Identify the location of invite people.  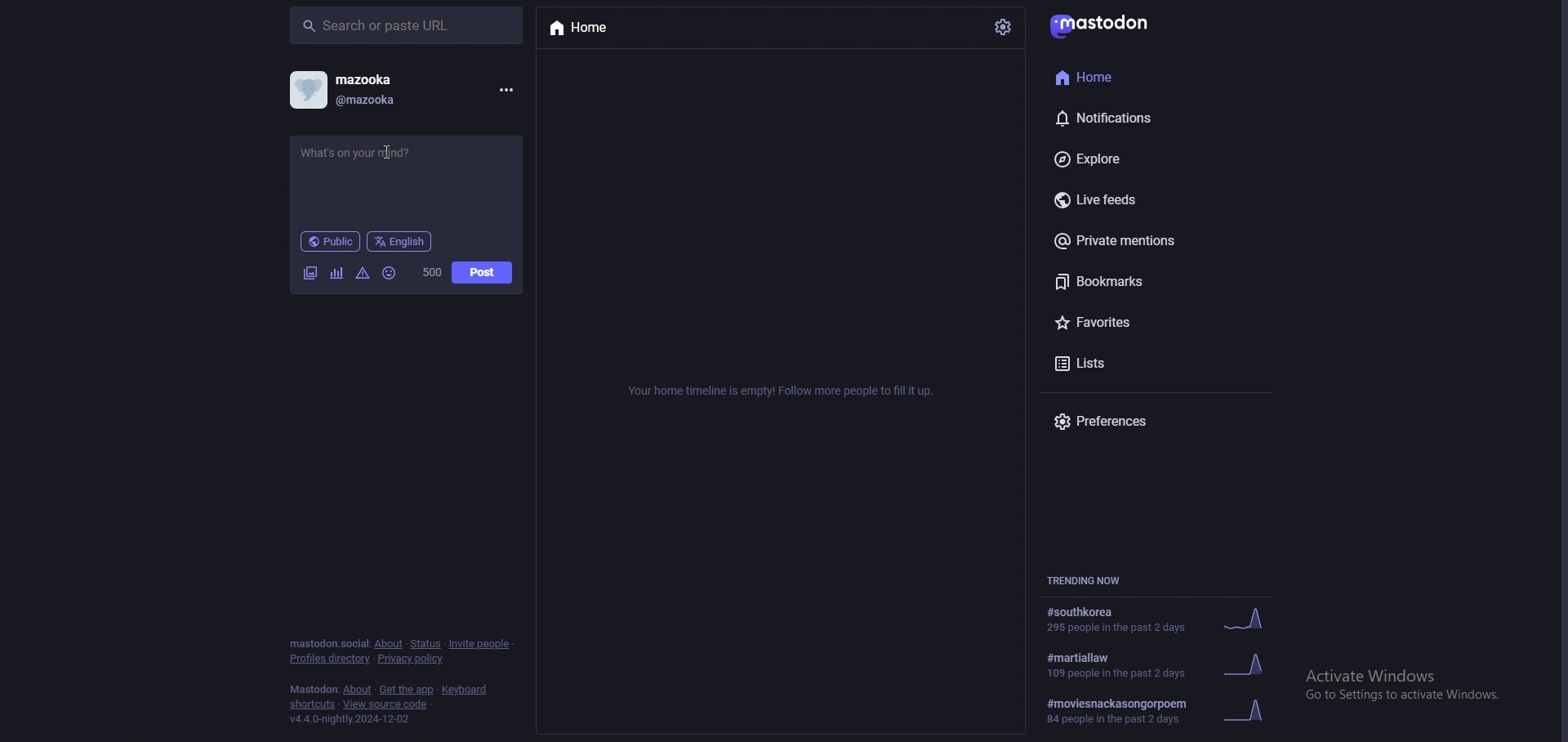
(482, 642).